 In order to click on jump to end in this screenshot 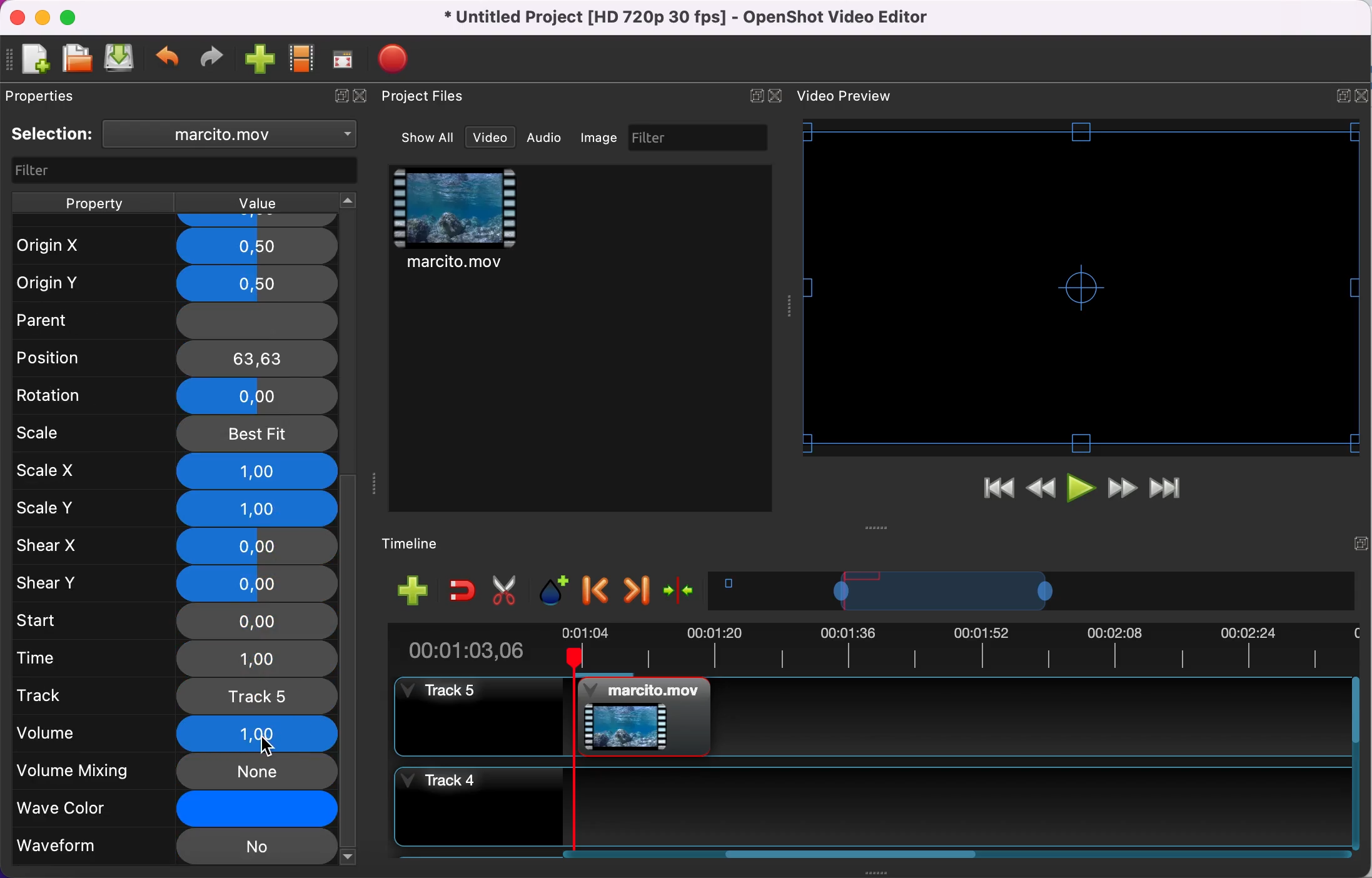, I will do `click(1166, 490)`.